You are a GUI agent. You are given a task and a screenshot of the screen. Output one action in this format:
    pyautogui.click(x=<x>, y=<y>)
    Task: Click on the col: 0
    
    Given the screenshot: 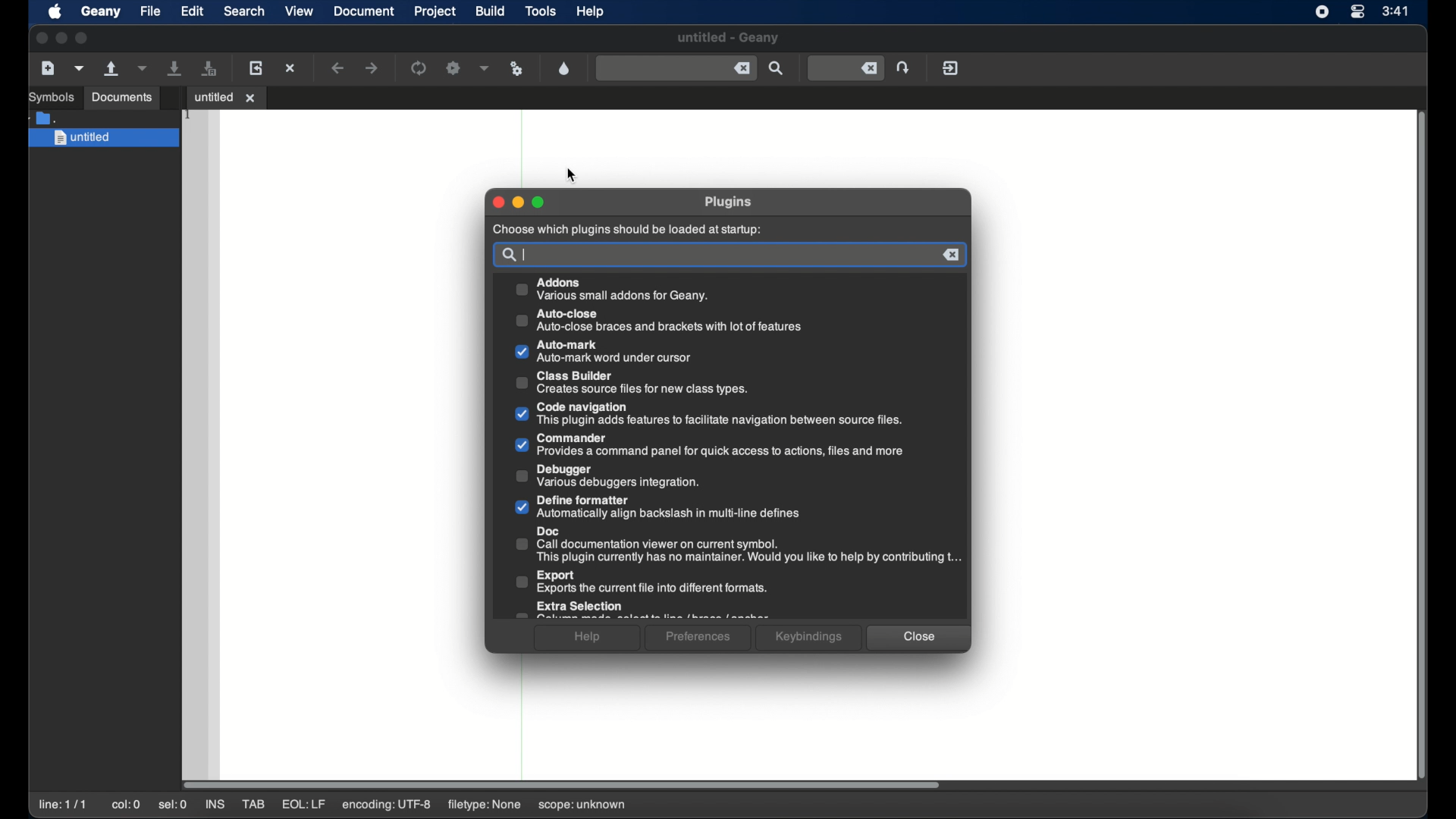 What is the action you would take?
    pyautogui.click(x=126, y=805)
    